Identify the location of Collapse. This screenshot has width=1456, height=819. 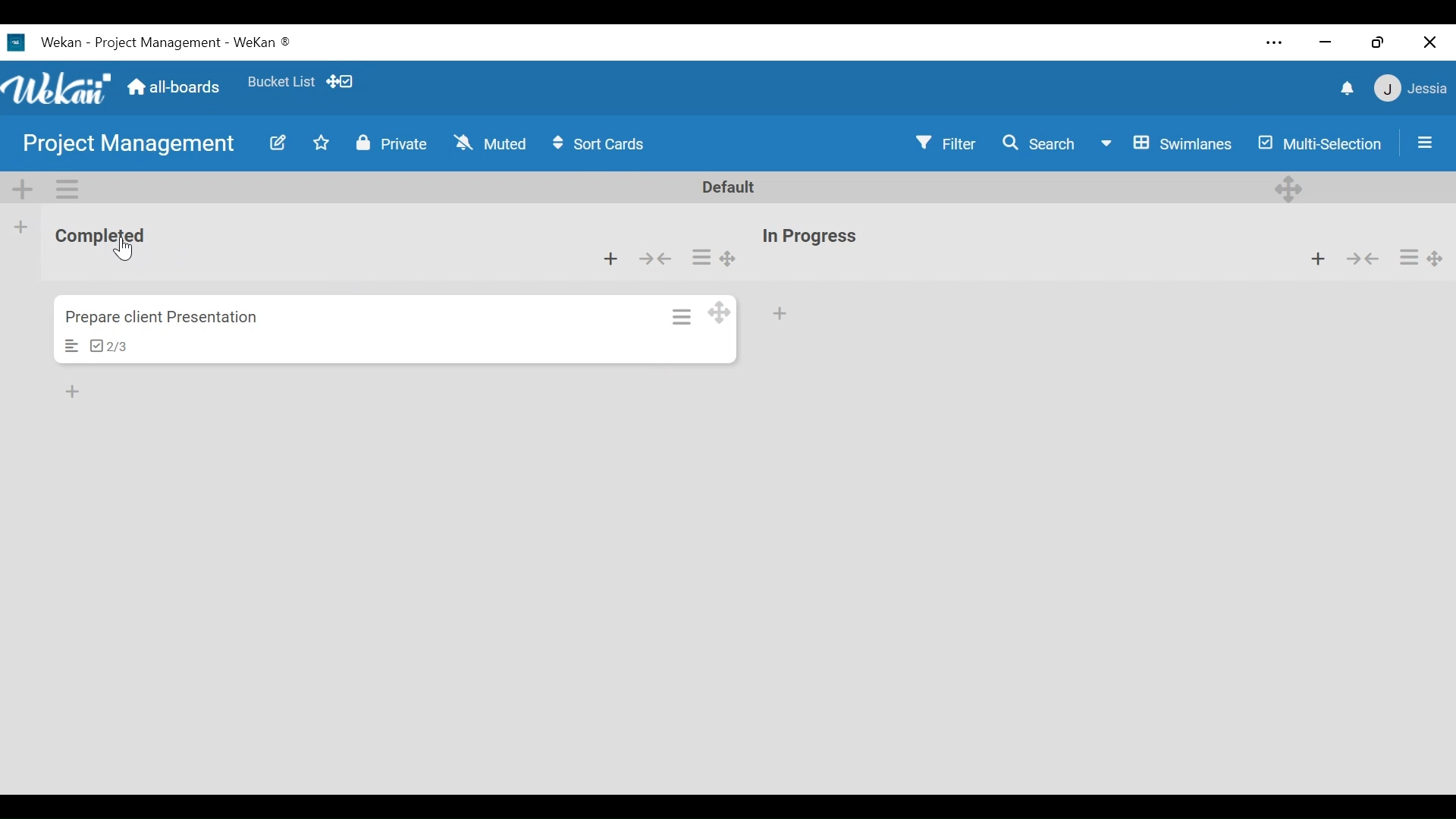
(654, 260).